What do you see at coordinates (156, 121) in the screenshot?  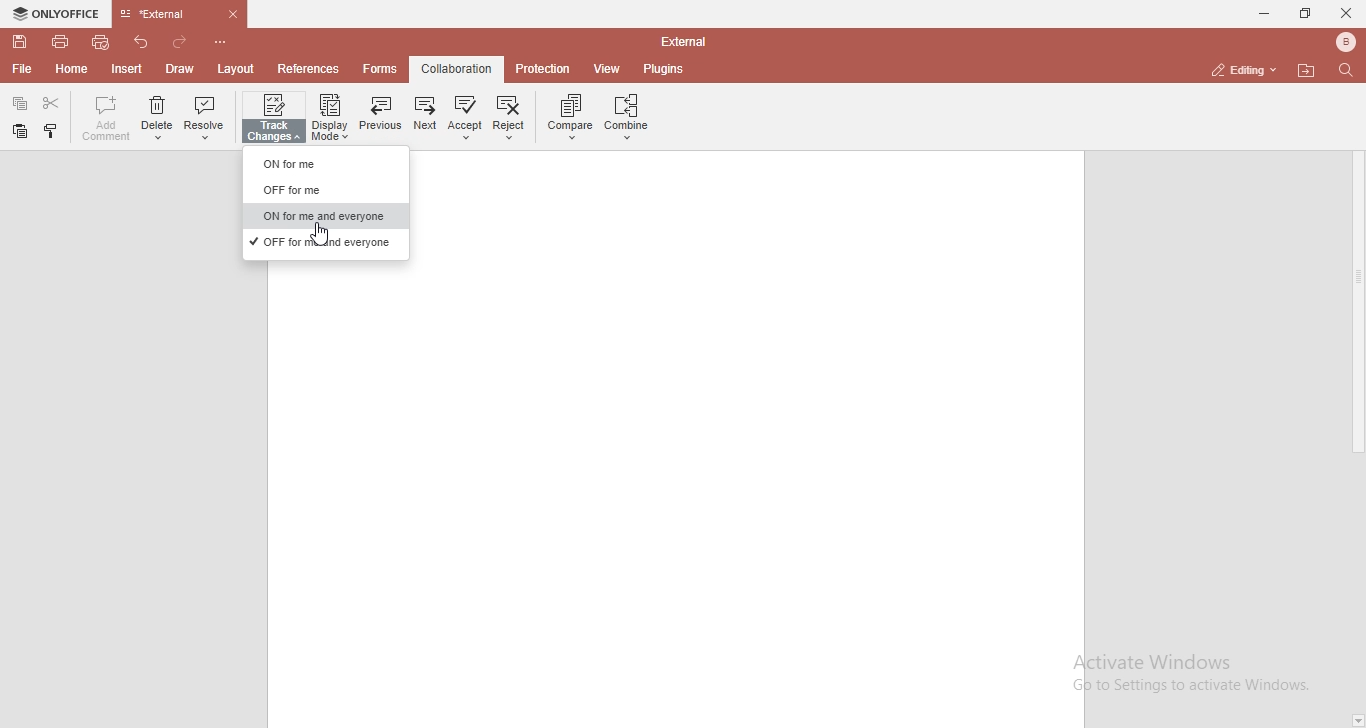 I see `delete` at bounding box center [156, 121].